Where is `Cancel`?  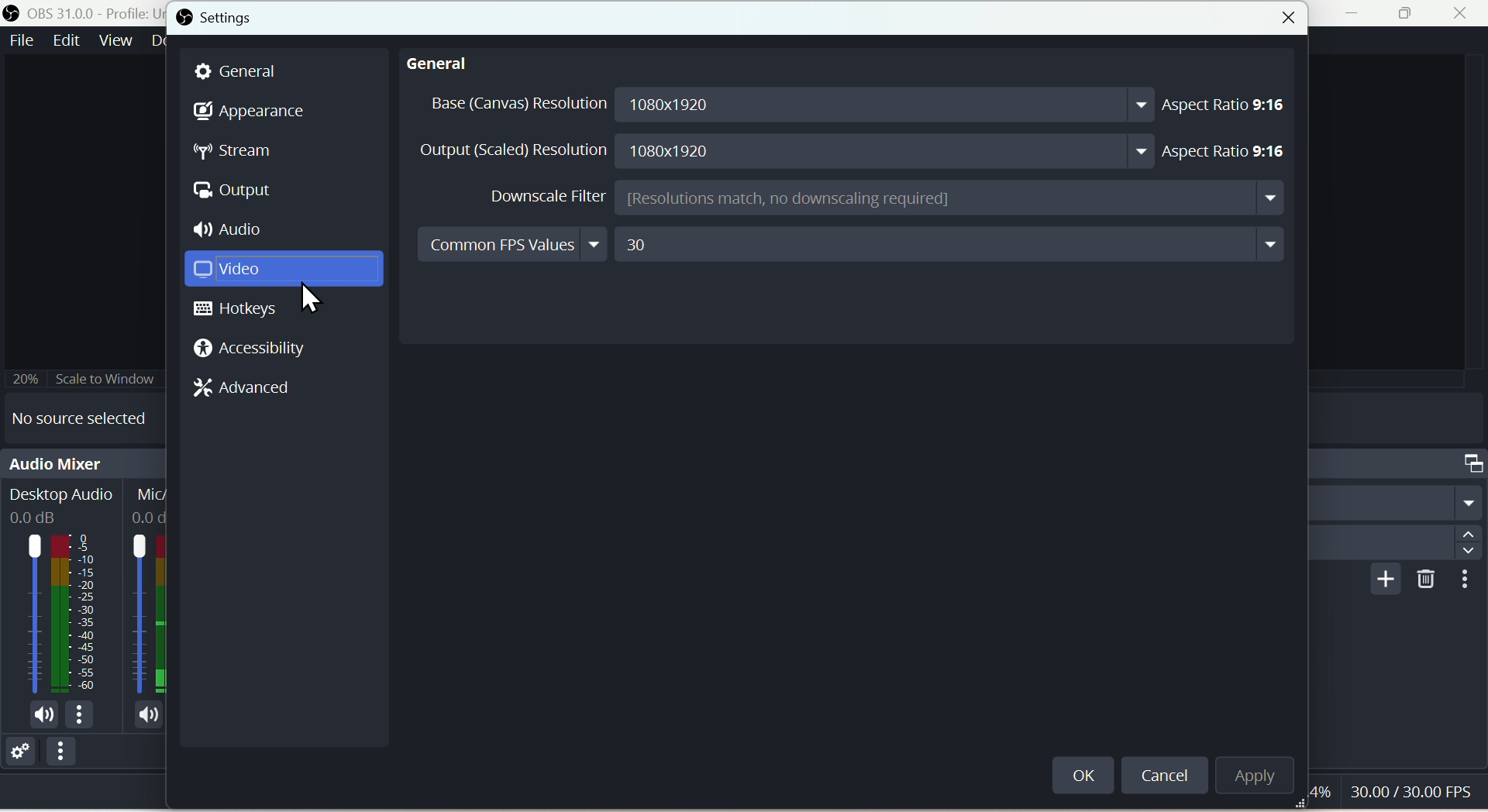
Cancel is located at coordinates (1166, 776).